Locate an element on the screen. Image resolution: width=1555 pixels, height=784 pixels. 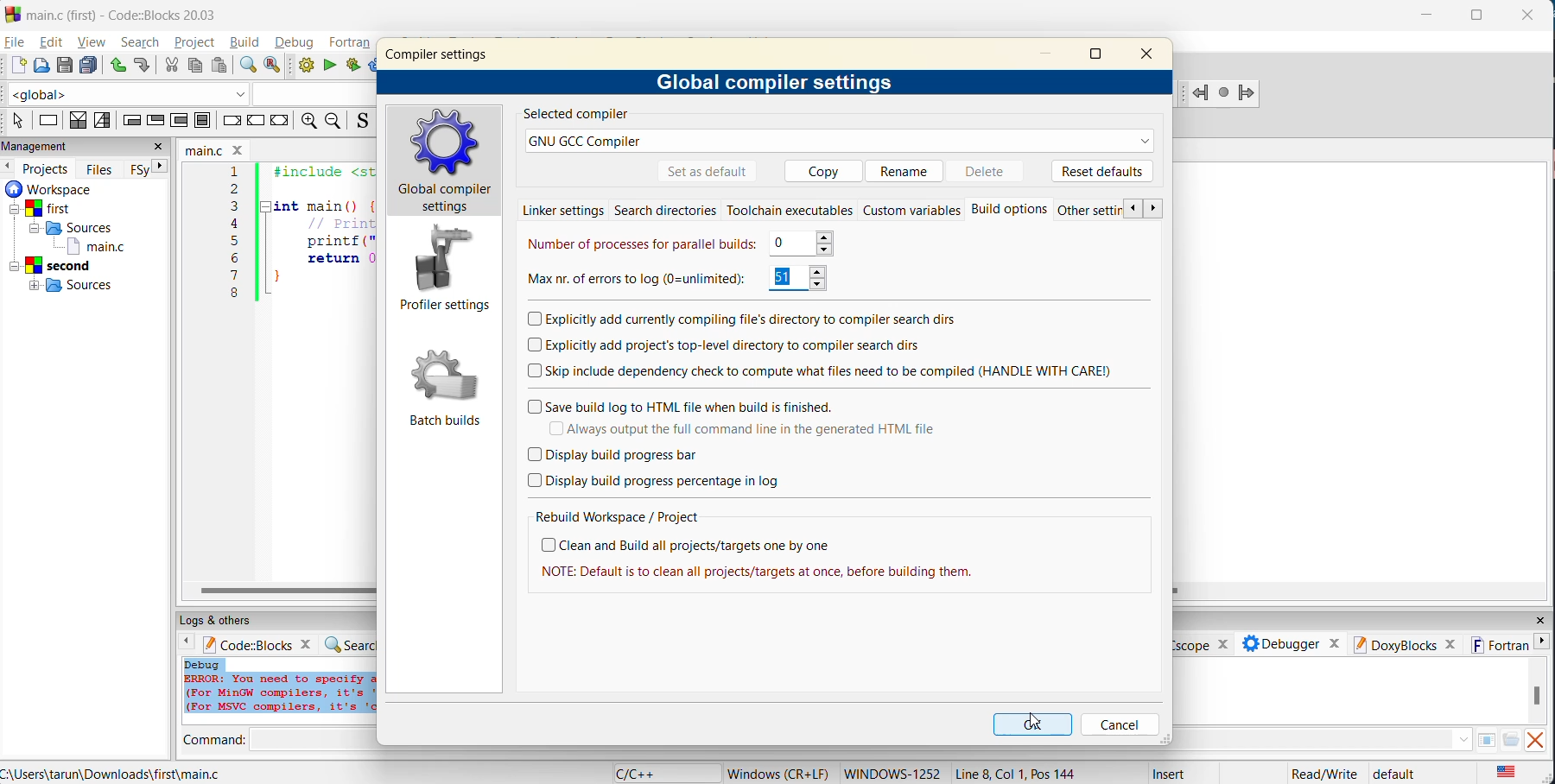
minimize is located at coordinates (1428, 17).